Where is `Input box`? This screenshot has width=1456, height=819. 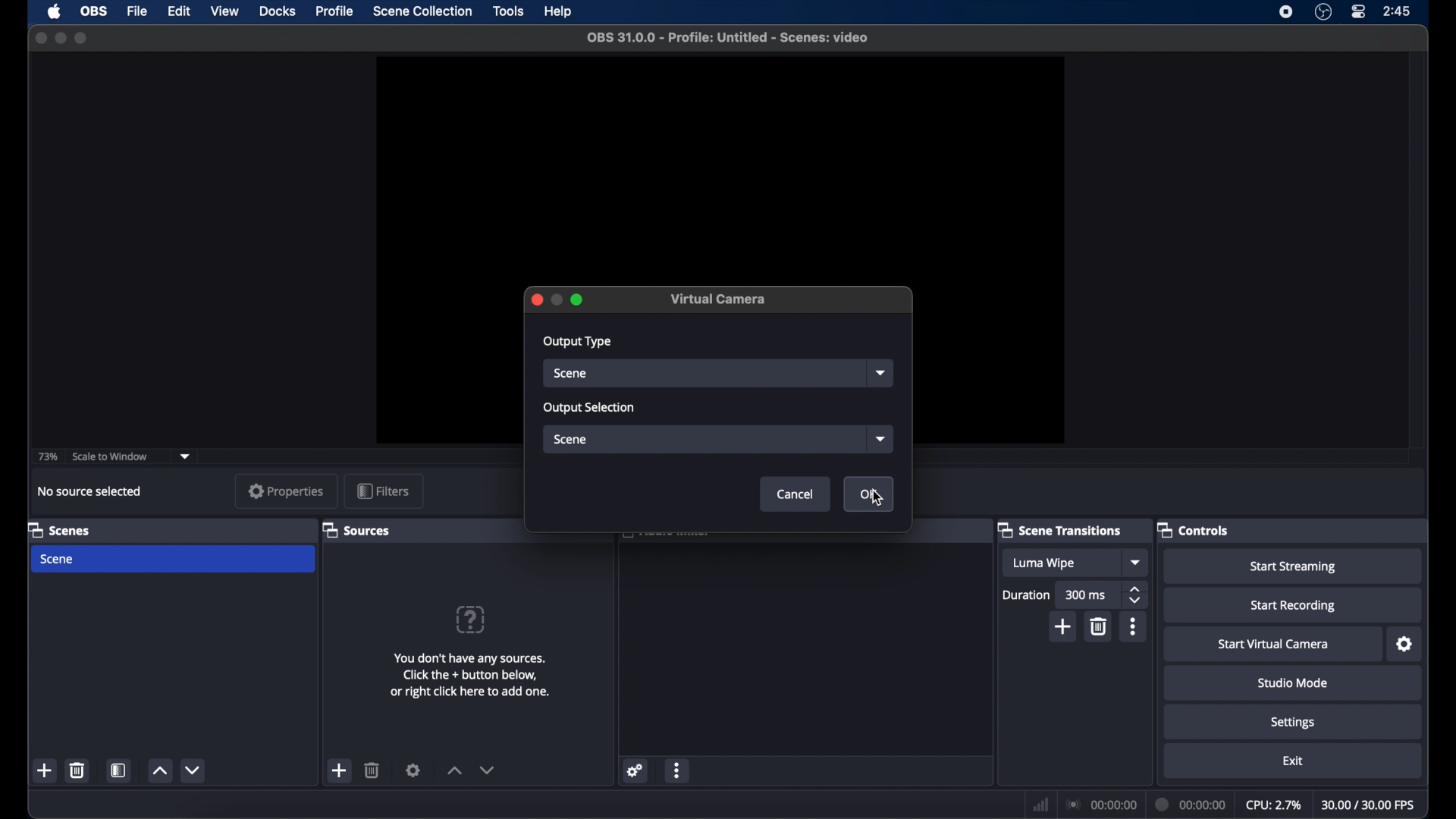 Input box is located at coordinates (698, 438).